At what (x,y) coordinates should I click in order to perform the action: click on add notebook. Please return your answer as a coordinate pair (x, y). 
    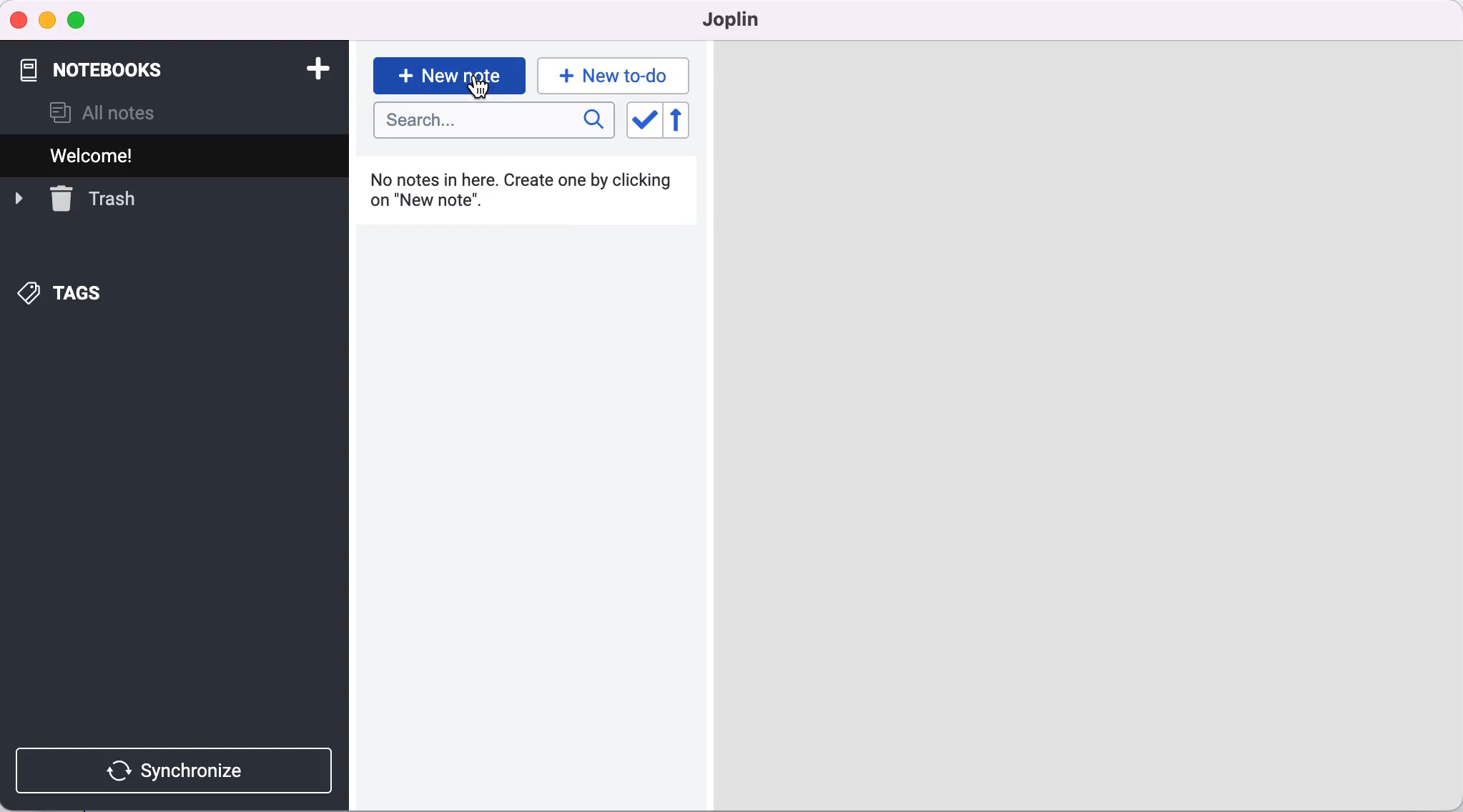
    Looking at the image, I should click on (315, 67).